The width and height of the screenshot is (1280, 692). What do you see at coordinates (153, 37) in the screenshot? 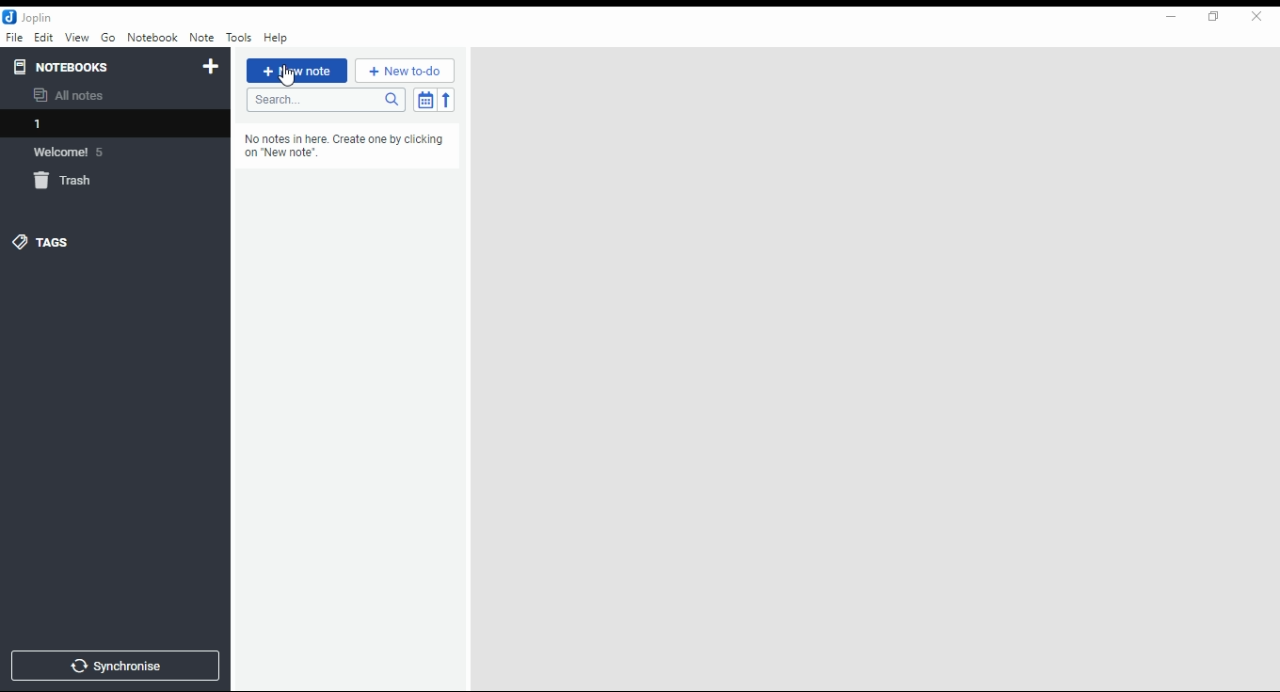
I see `notebook` at bounding box center [153, 37].